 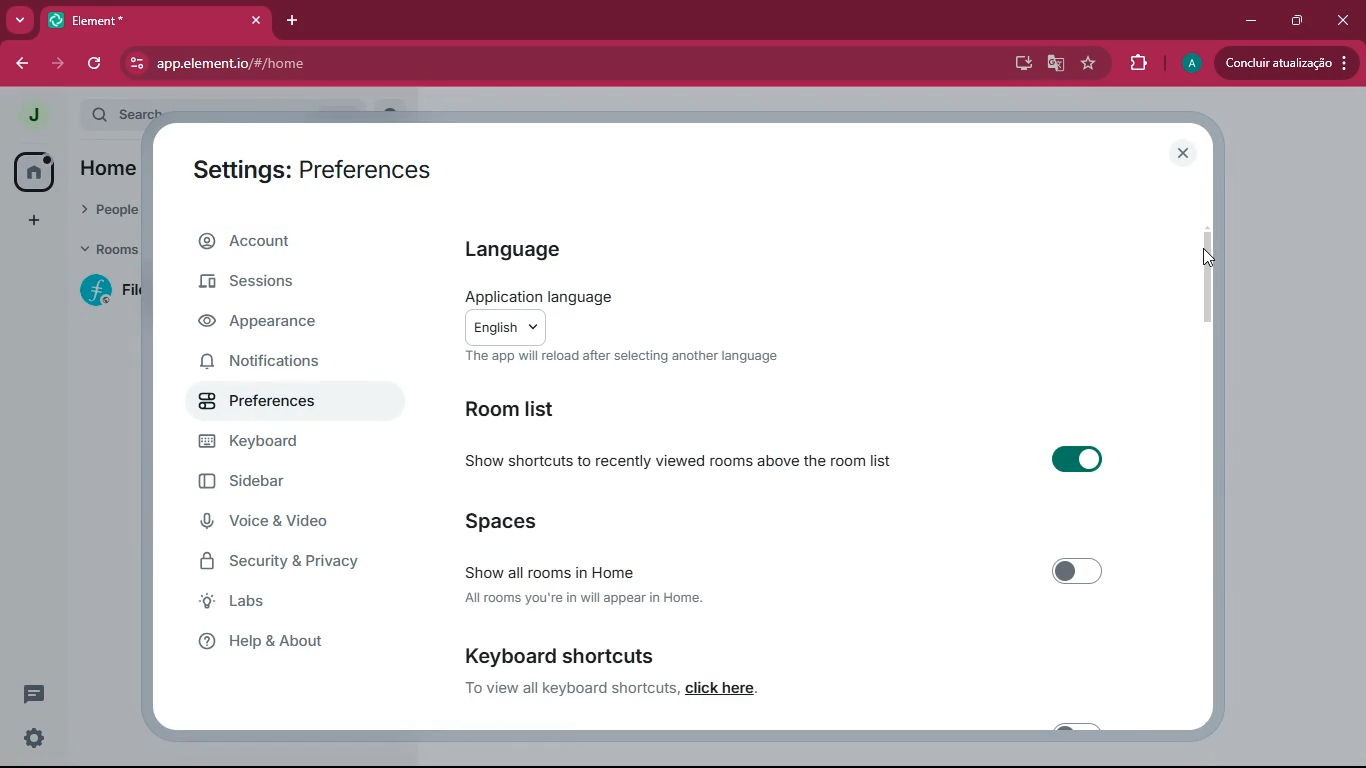 I want to click on language, so click(x=553, y=247).